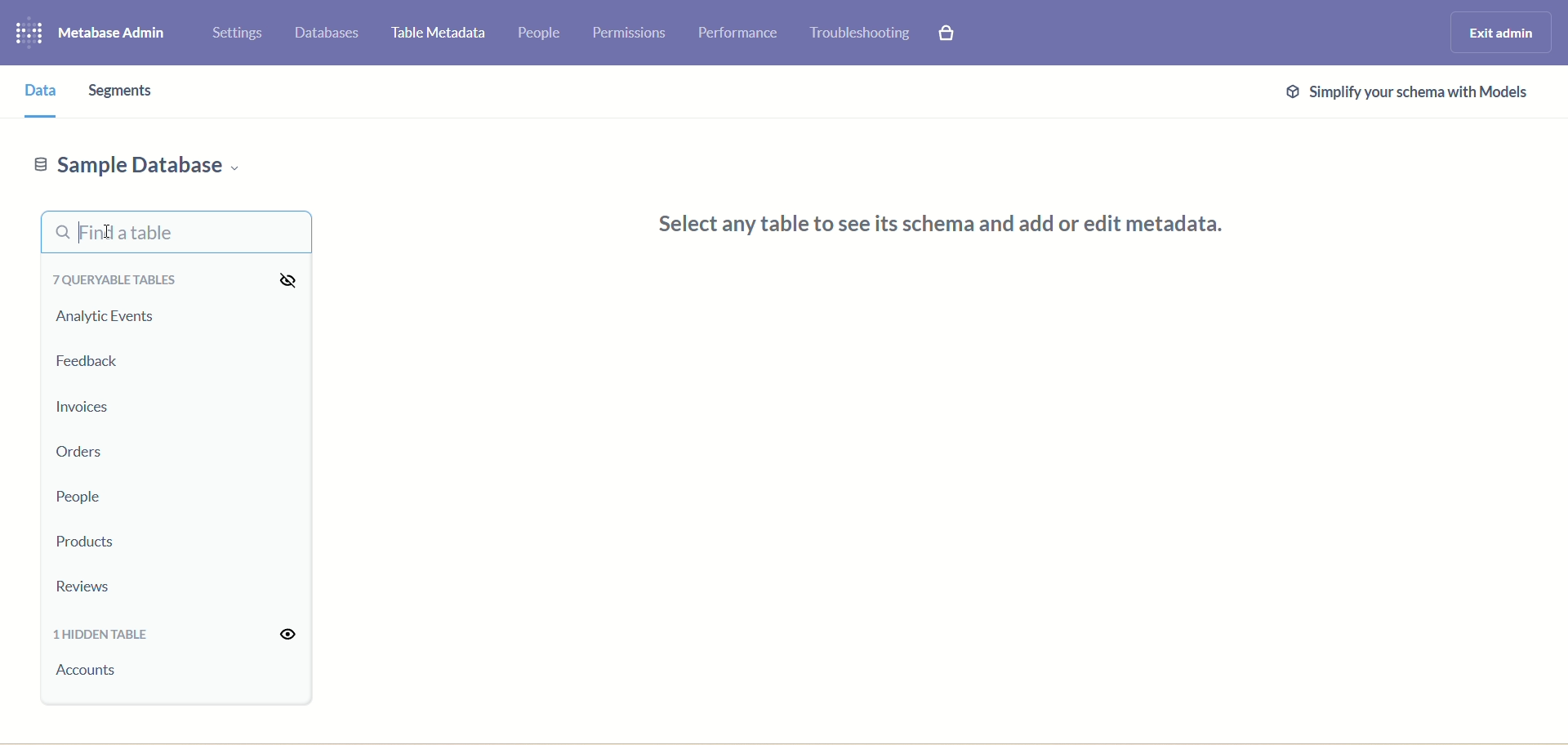 The image size is (1568, 745). I want to click on find a table, so click(173, 230).